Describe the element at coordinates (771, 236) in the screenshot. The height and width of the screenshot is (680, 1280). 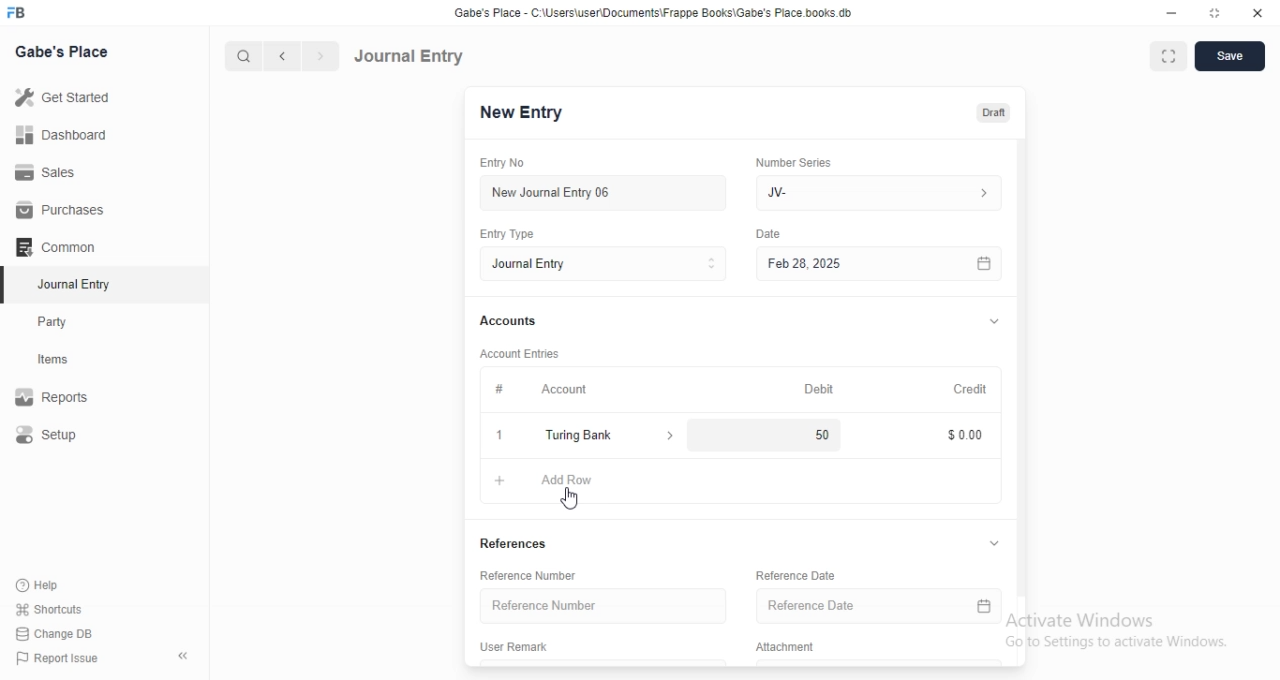
I see `` at that location.